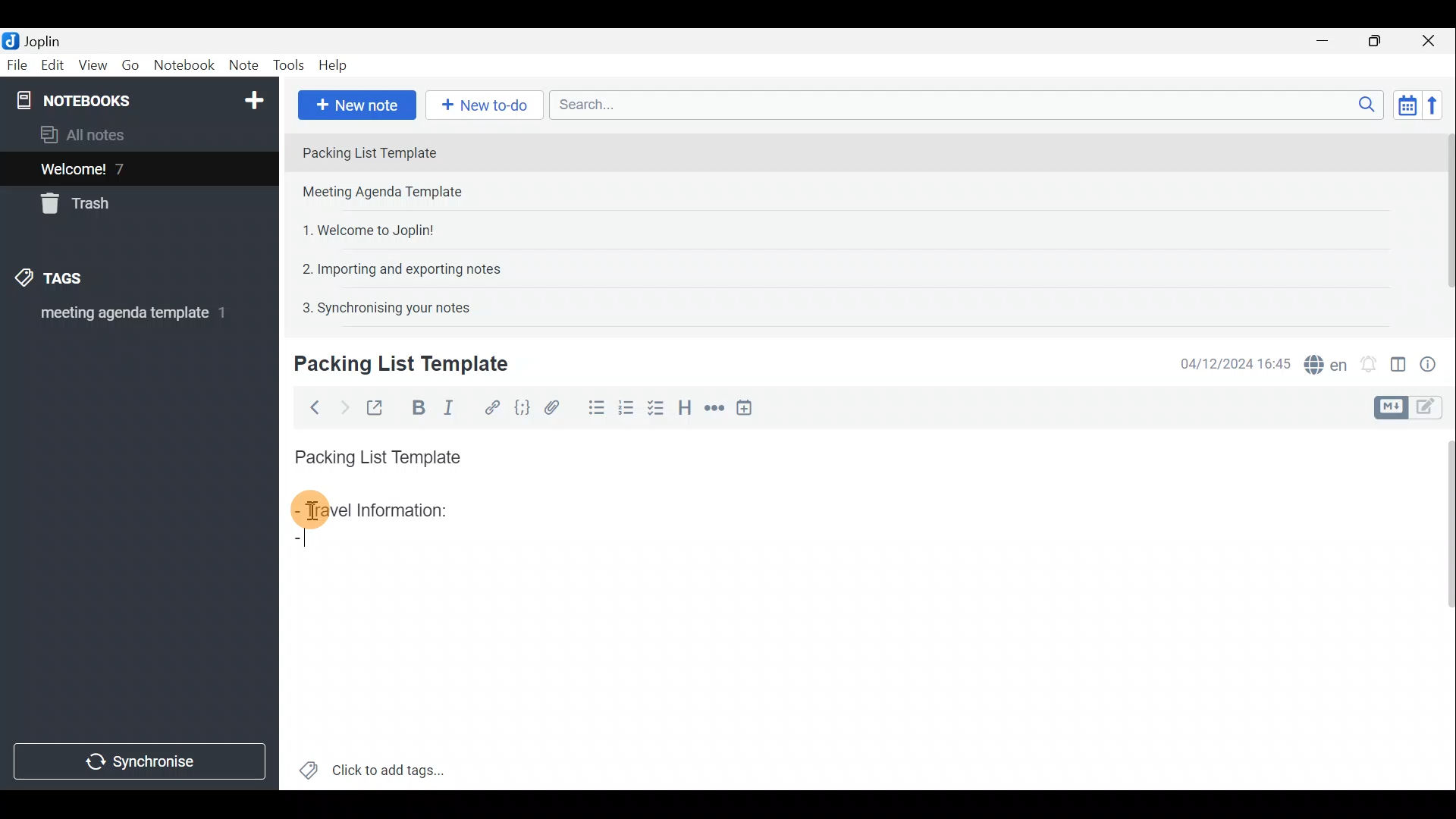  I want to click on Note 5, so click(380, 306).